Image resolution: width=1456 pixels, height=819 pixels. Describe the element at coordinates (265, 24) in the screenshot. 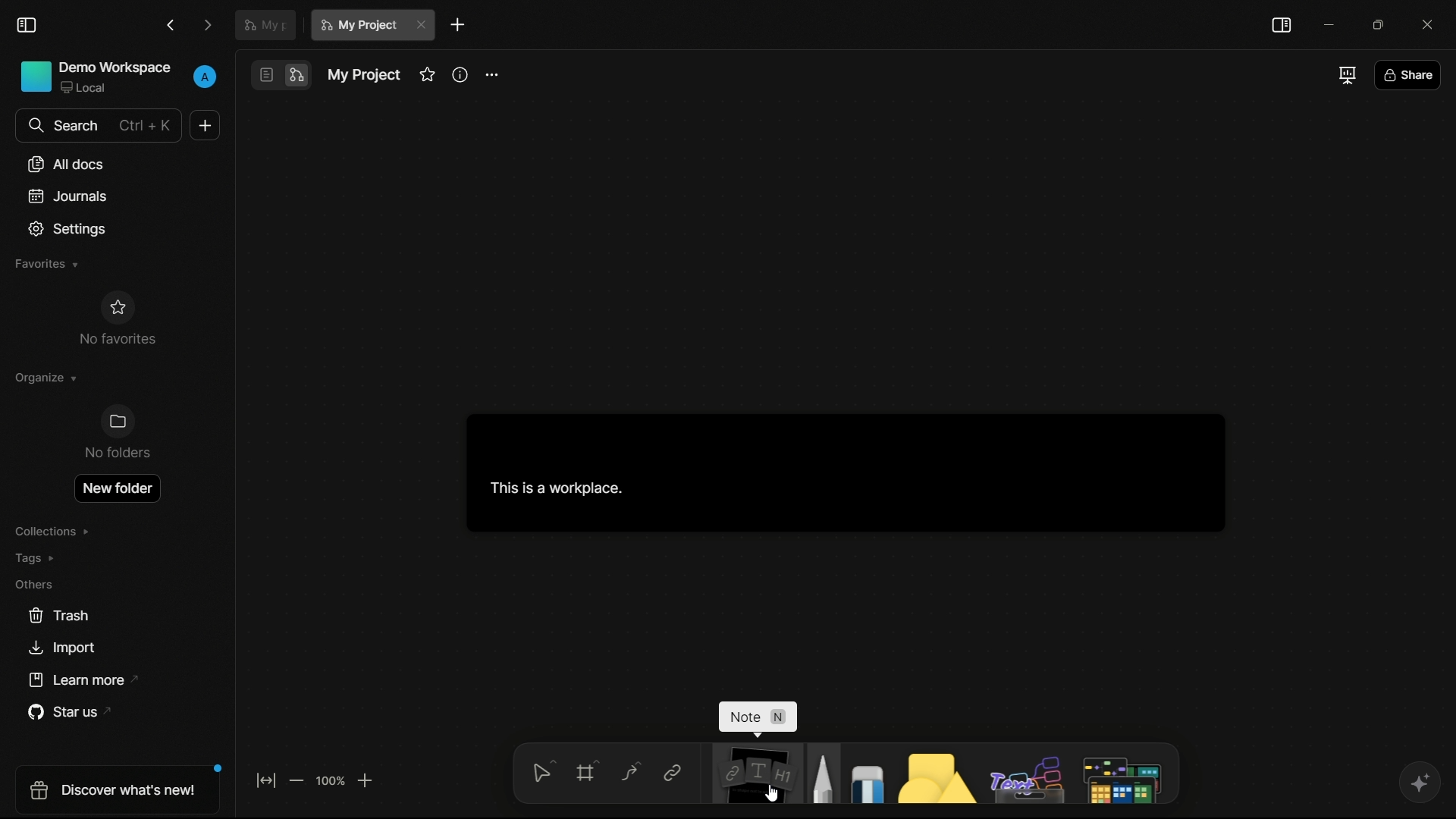

I see `document tab` at that location.